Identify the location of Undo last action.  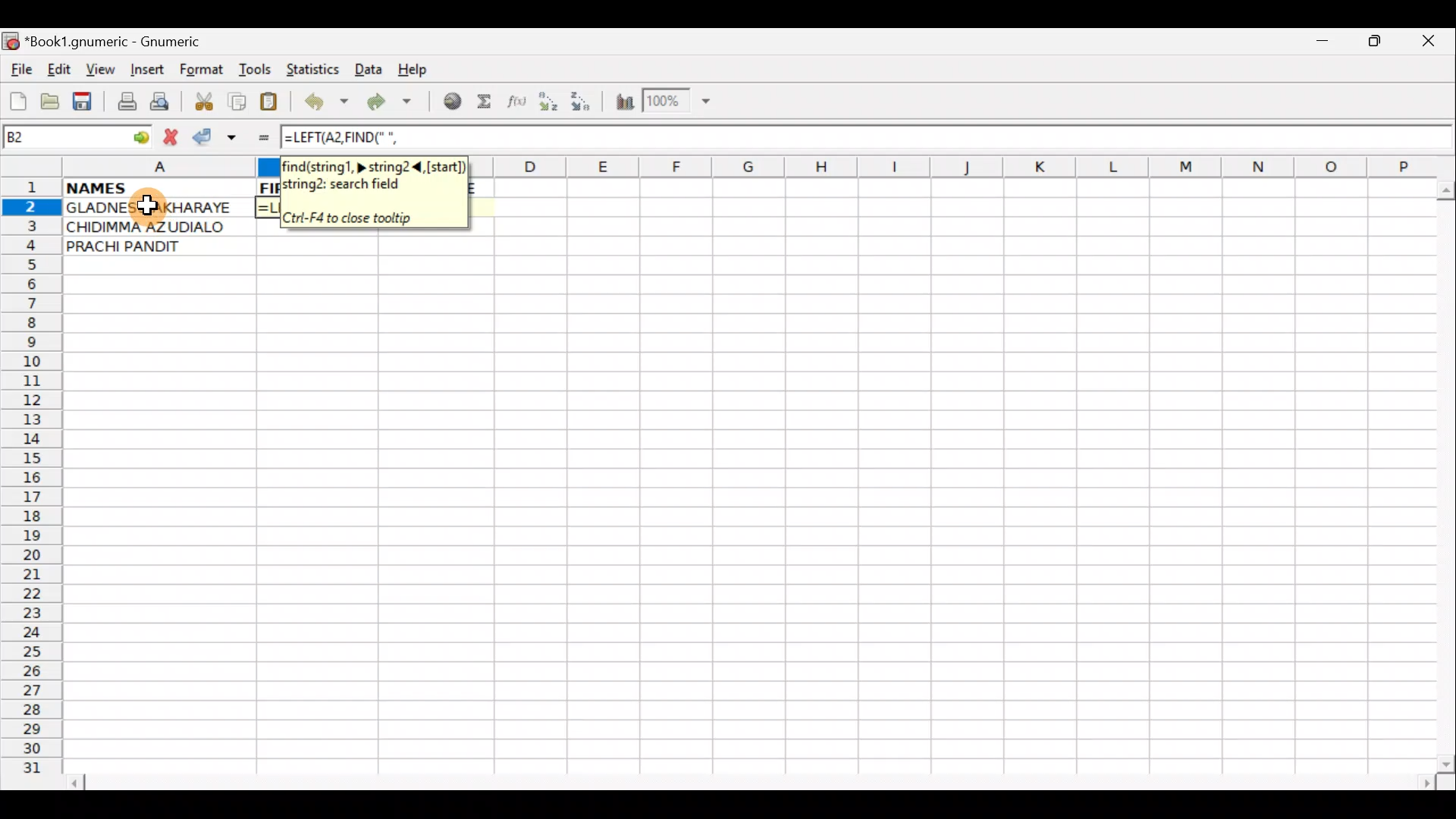
(328, 104).